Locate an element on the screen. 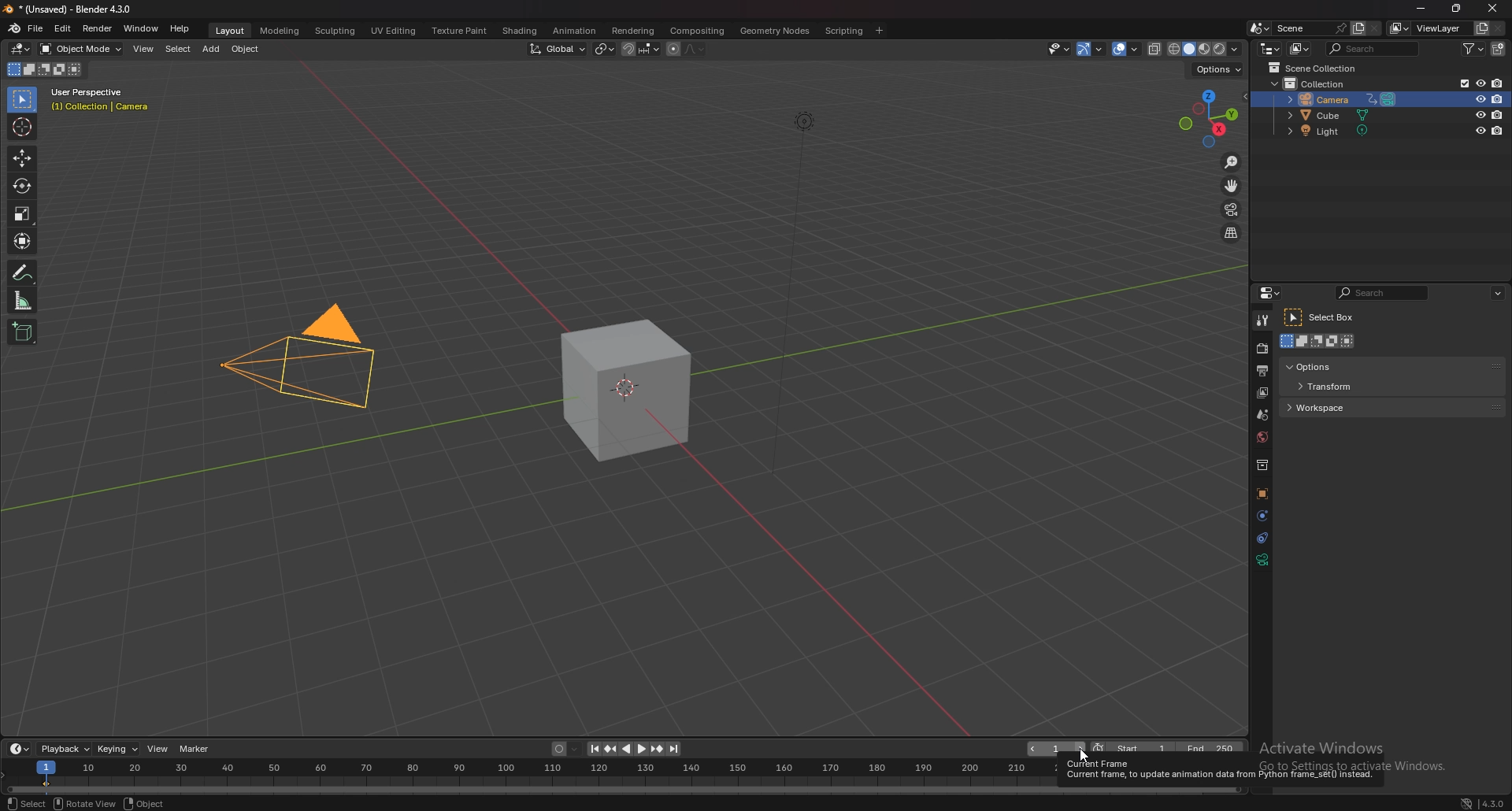 The width and height of the screenshot is (1512, 811).  is located at coordinates (784, 294).